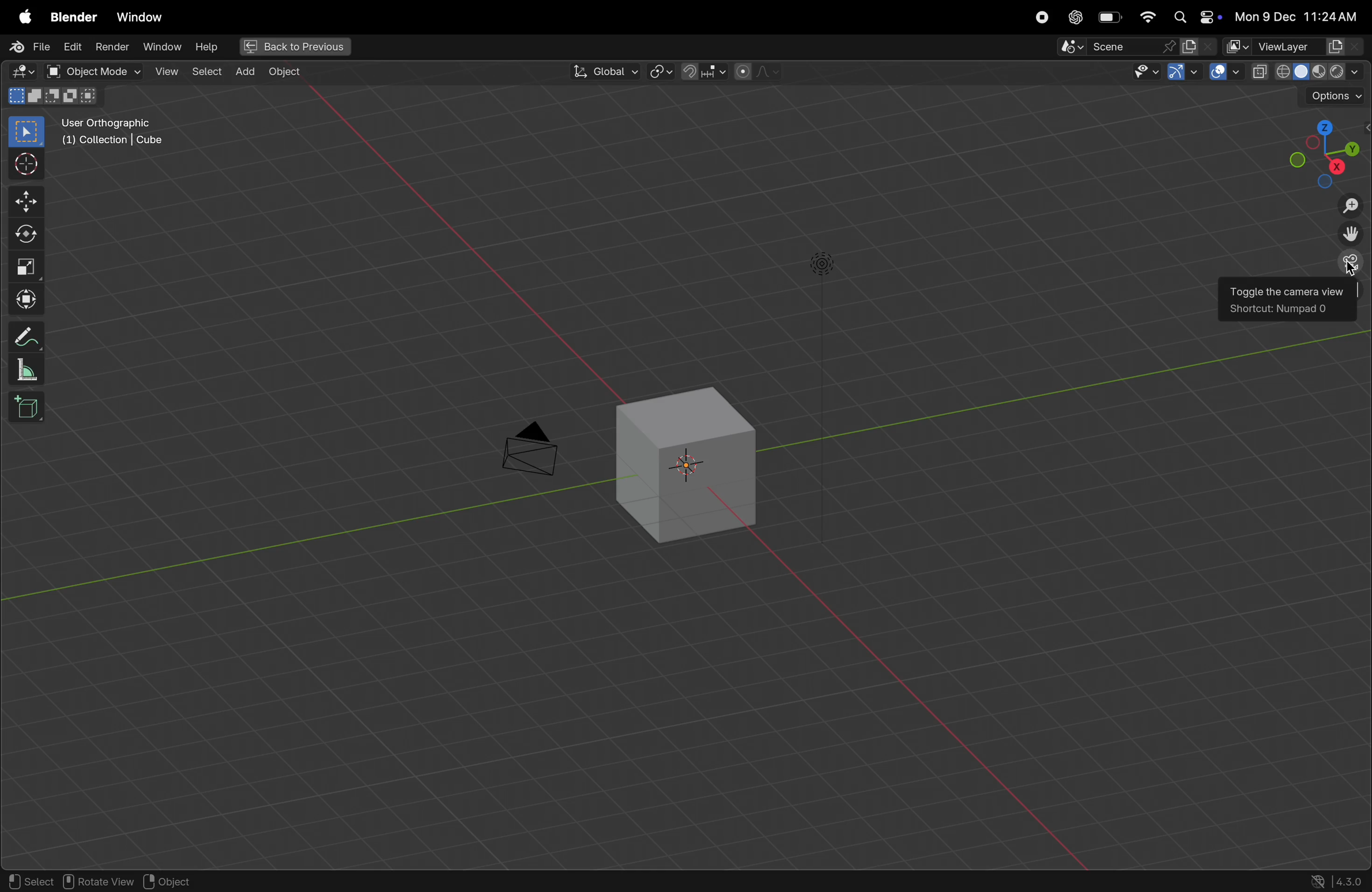 The width and height of the screenshot is (1372, 892). Describe the element at coordinates (20, 13) in the screenshot. I see `apple menu` at that location.